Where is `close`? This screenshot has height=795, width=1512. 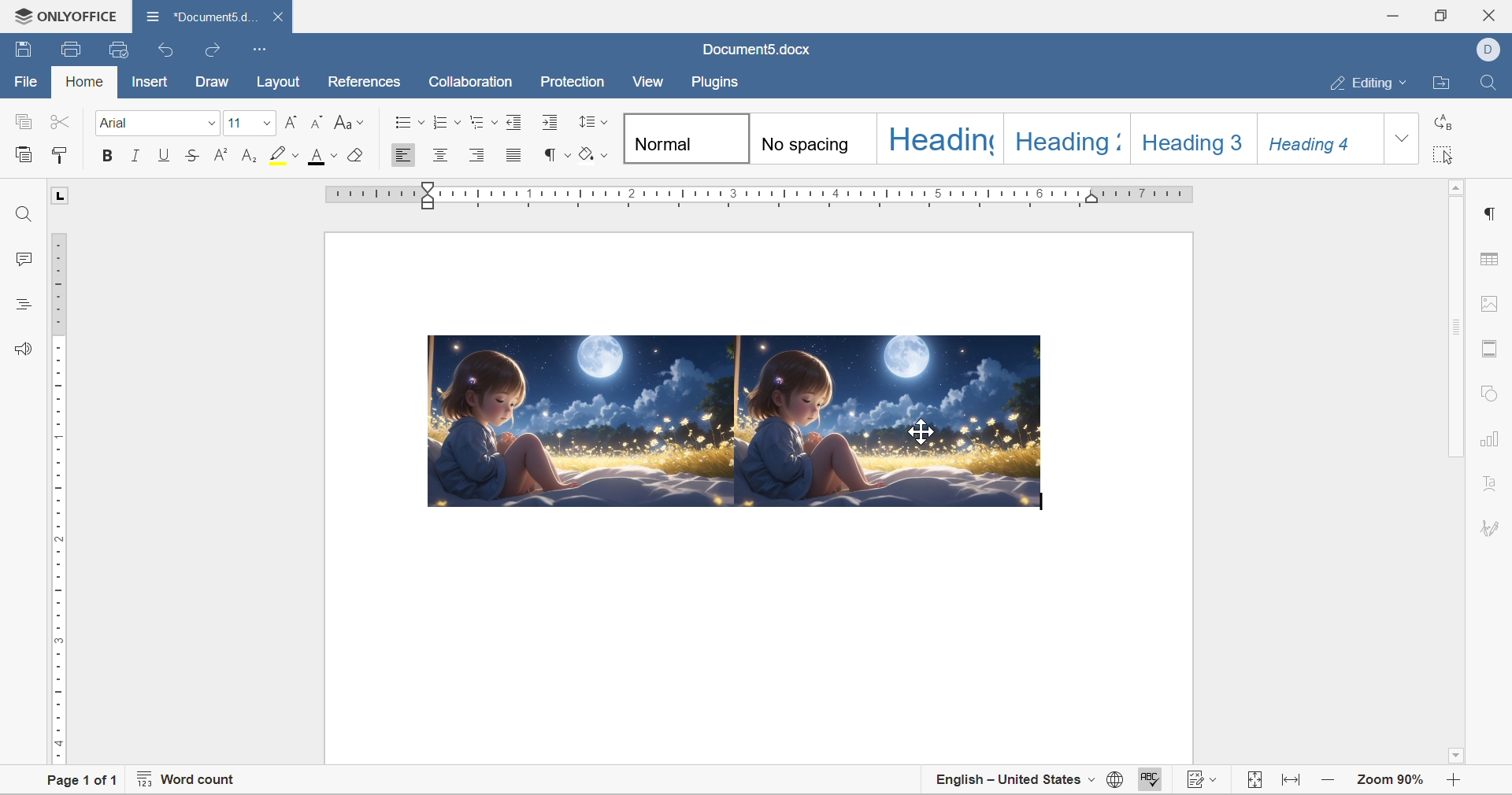 close is located at coordinates (1494, 13).